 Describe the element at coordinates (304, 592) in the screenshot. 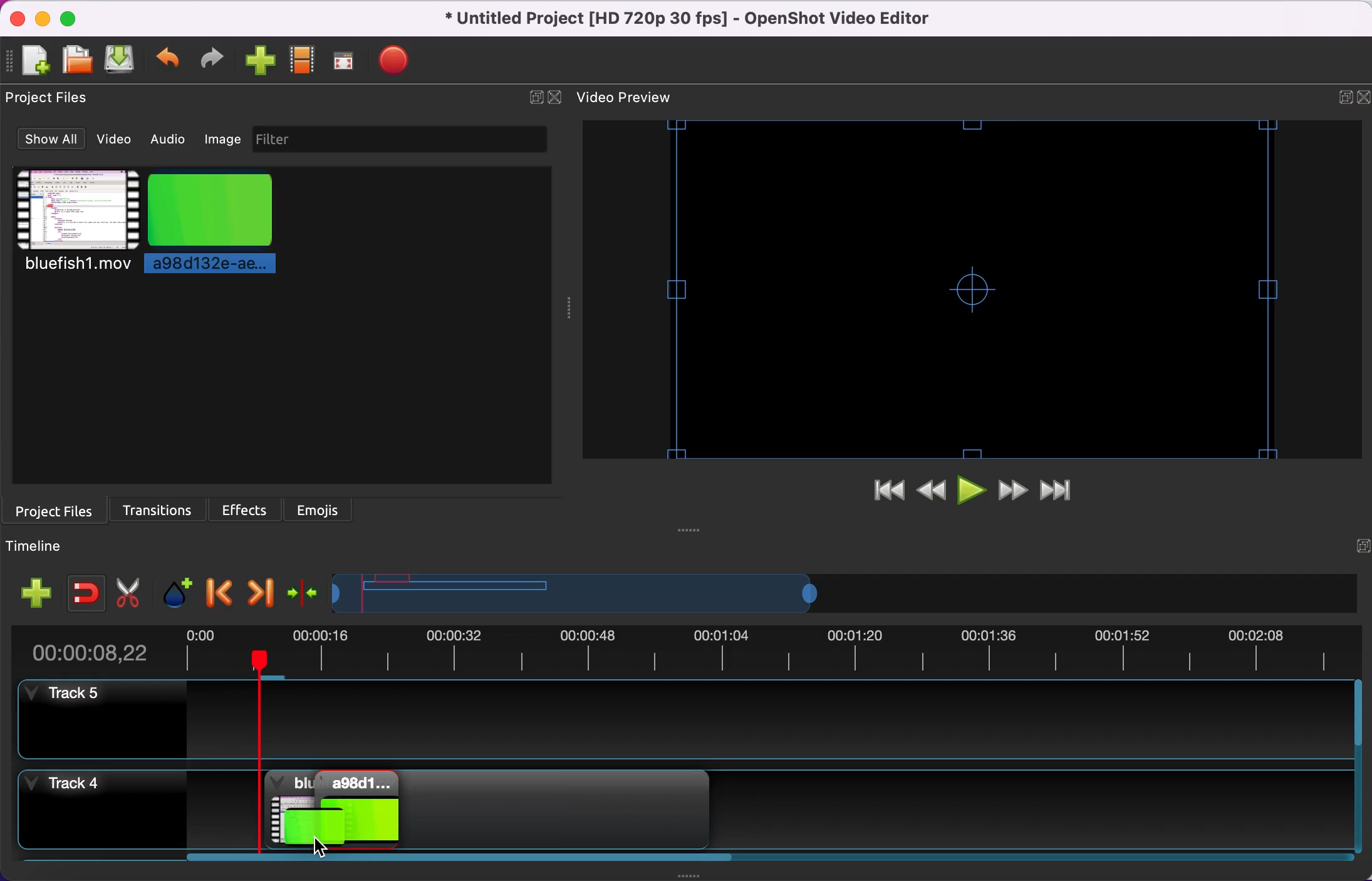

I see `center the timeline` at that location.